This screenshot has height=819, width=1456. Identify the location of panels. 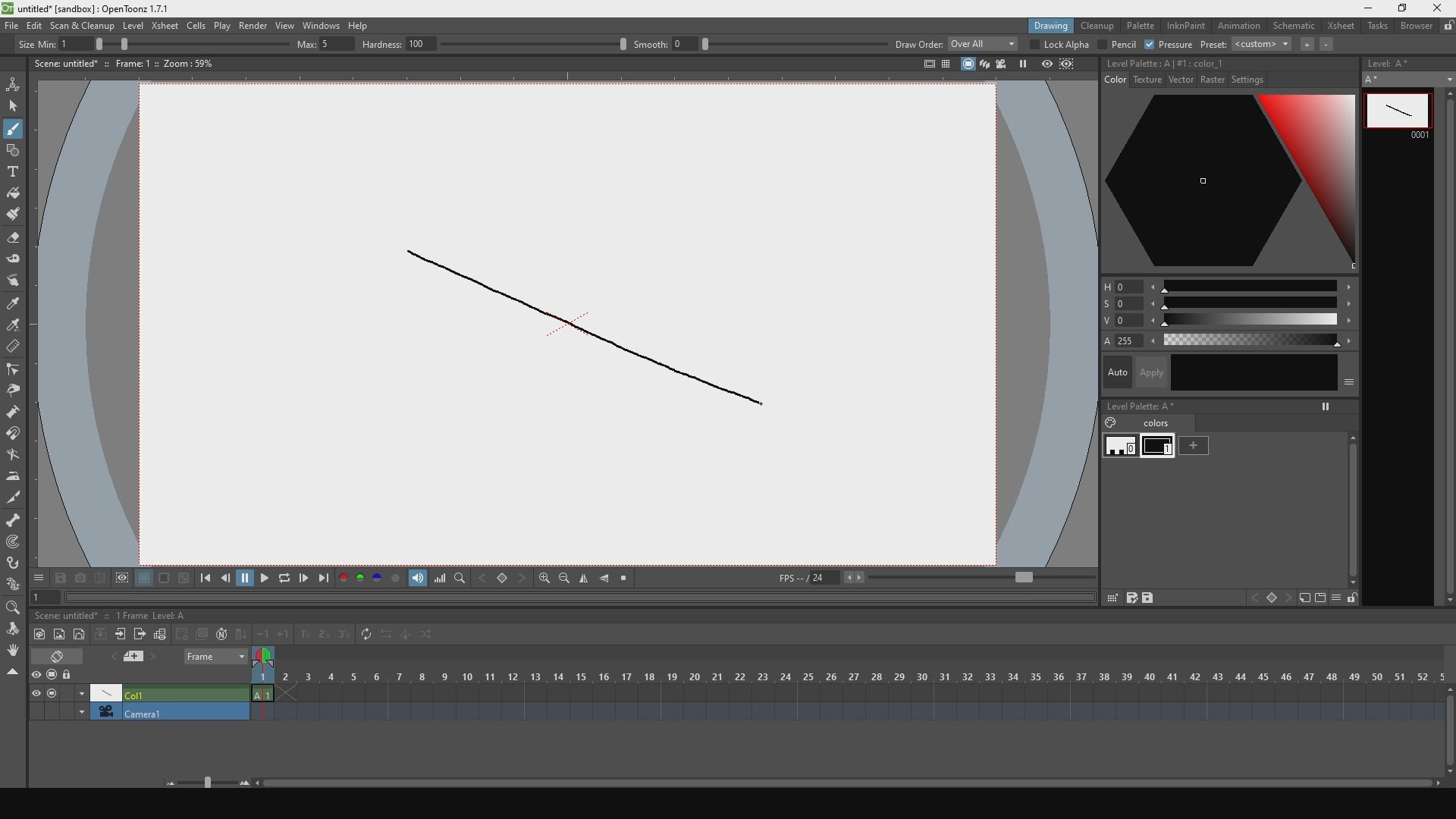
(946, 66).